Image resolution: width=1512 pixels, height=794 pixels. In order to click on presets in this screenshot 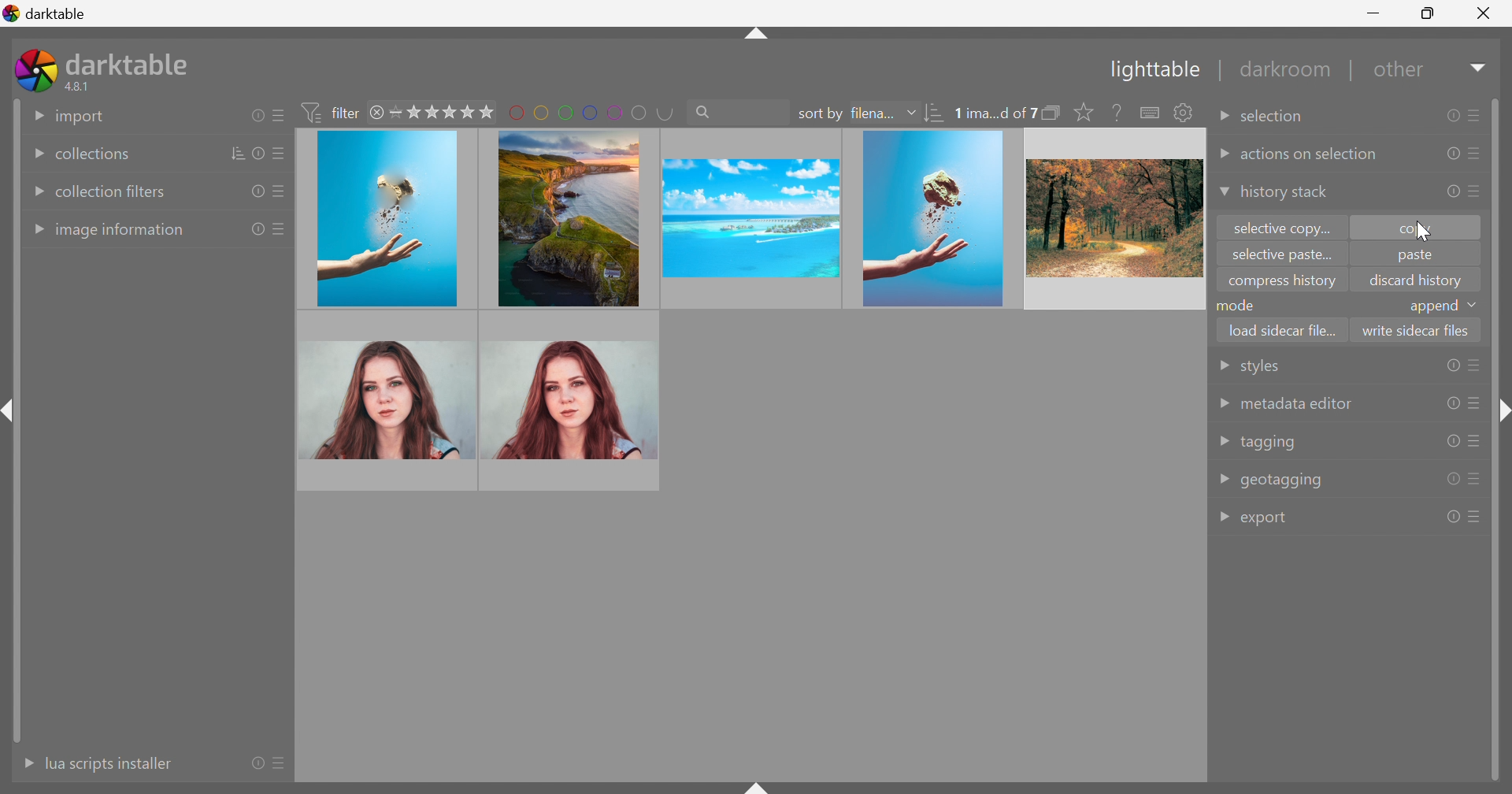, I will do `click(1476, 441)`.